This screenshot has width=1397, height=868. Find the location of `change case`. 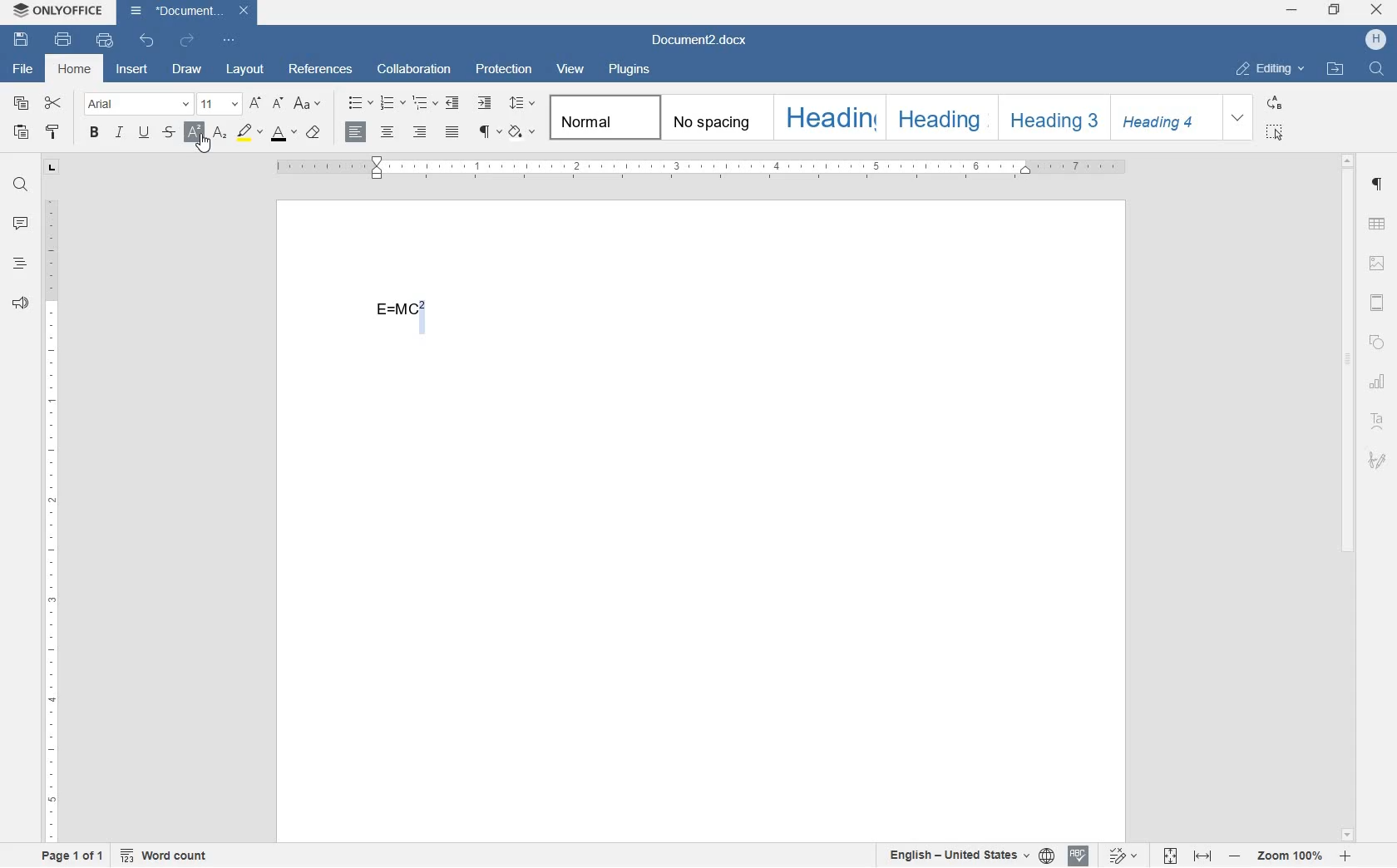

change case is located at coordinates (308, 104).